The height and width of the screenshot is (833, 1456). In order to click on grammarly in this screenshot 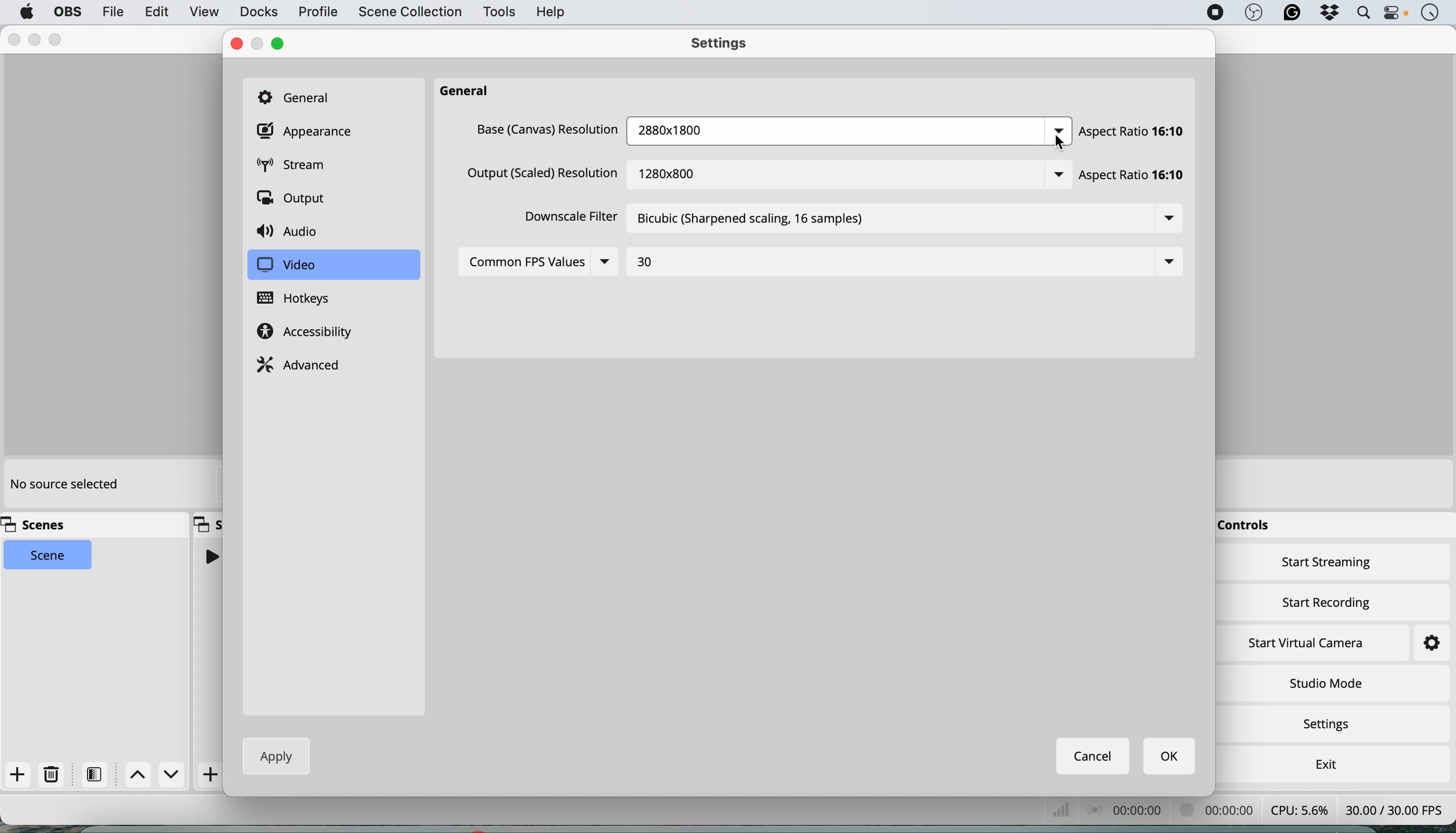, I will do `click(1291, 14)`.